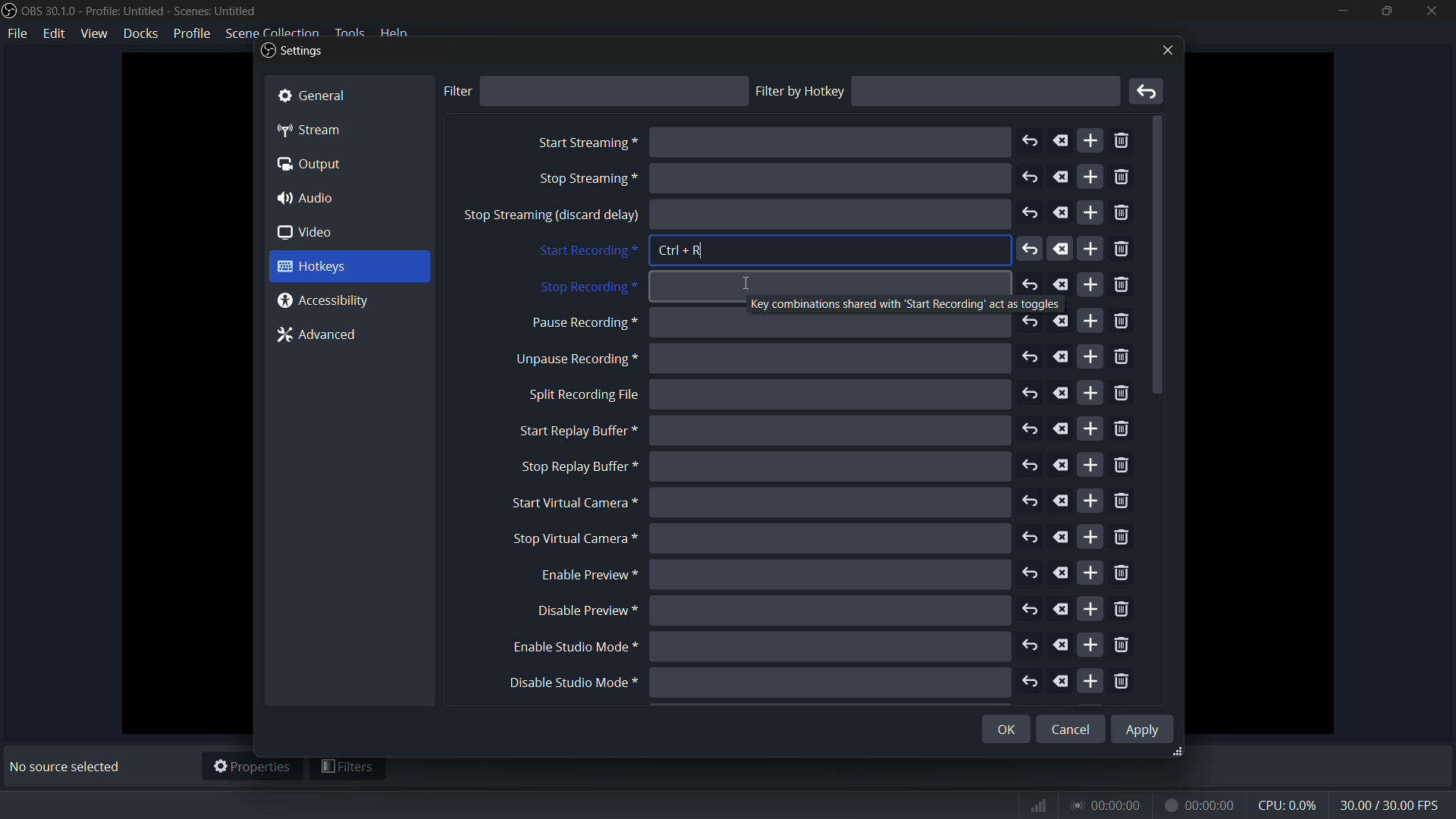 This screenshot has height=819, width=1456. What do you see at coordinates (588, 610) in the screenshot?
I see `disable preview` at bounding box center [588, 610].